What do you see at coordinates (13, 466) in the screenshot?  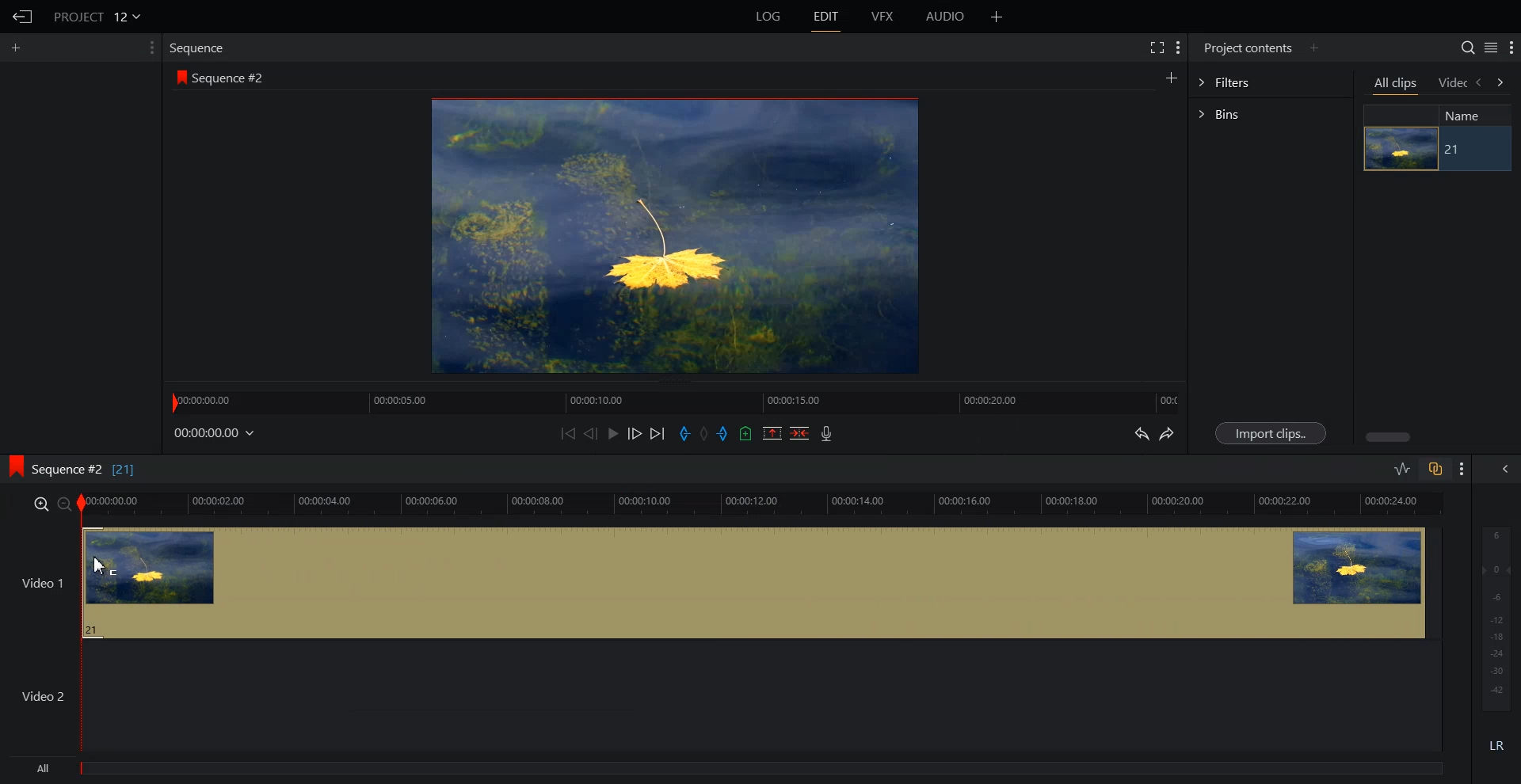 I see `logo` at bounding box center [13, 466].